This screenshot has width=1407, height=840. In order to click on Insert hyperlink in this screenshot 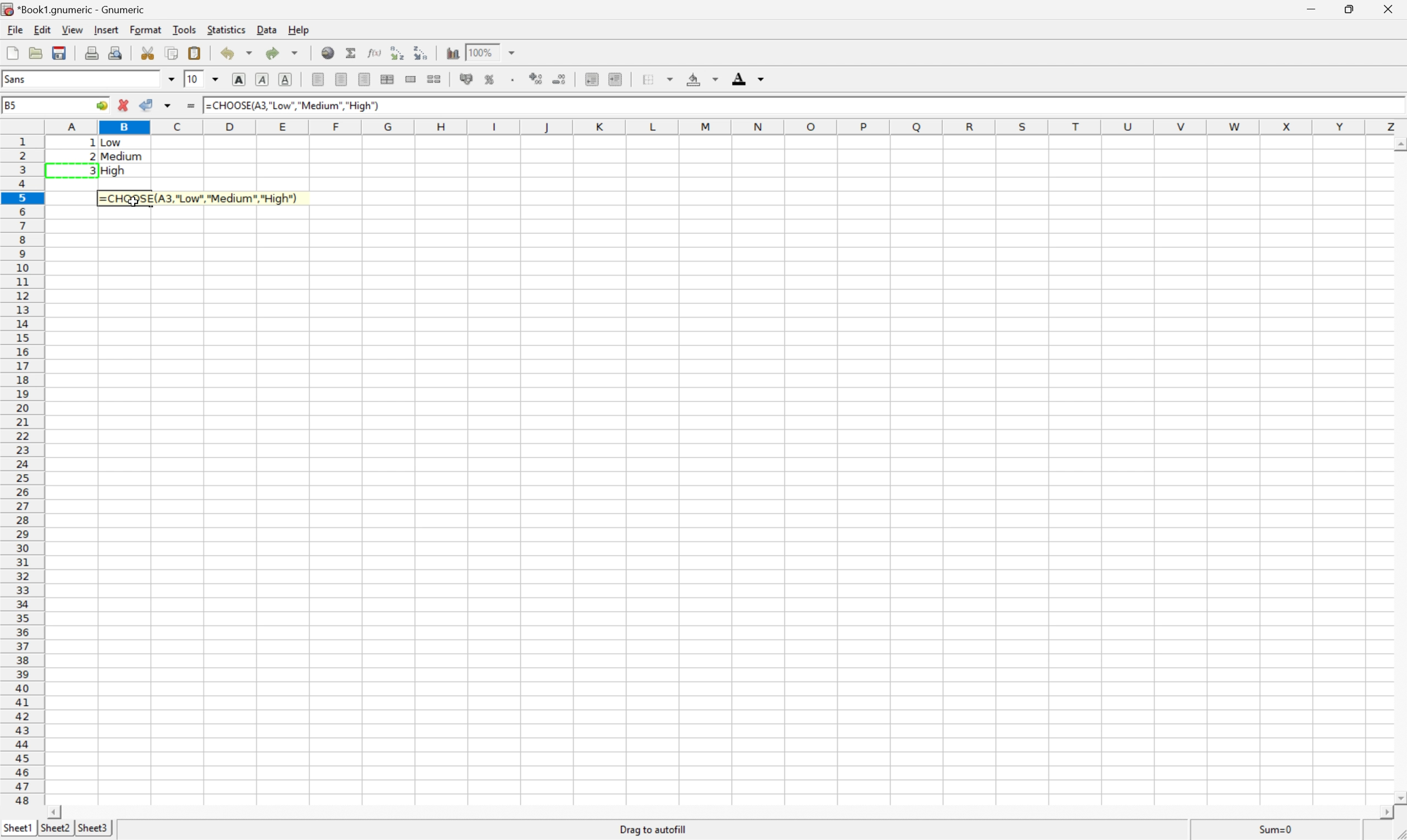, I will do `click(328, 52)`.